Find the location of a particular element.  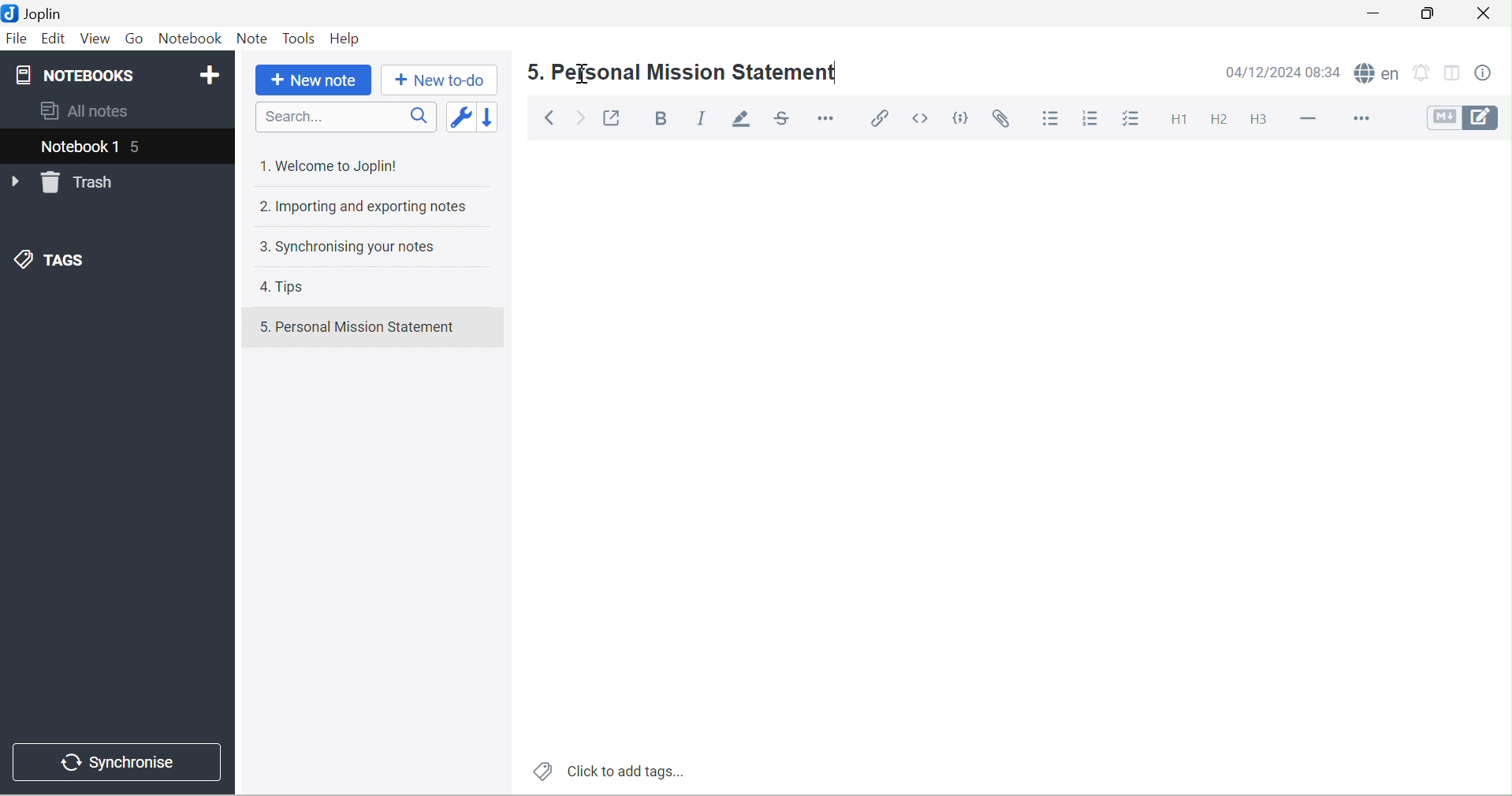

Strikethrough is located at coordinates (784, 117).